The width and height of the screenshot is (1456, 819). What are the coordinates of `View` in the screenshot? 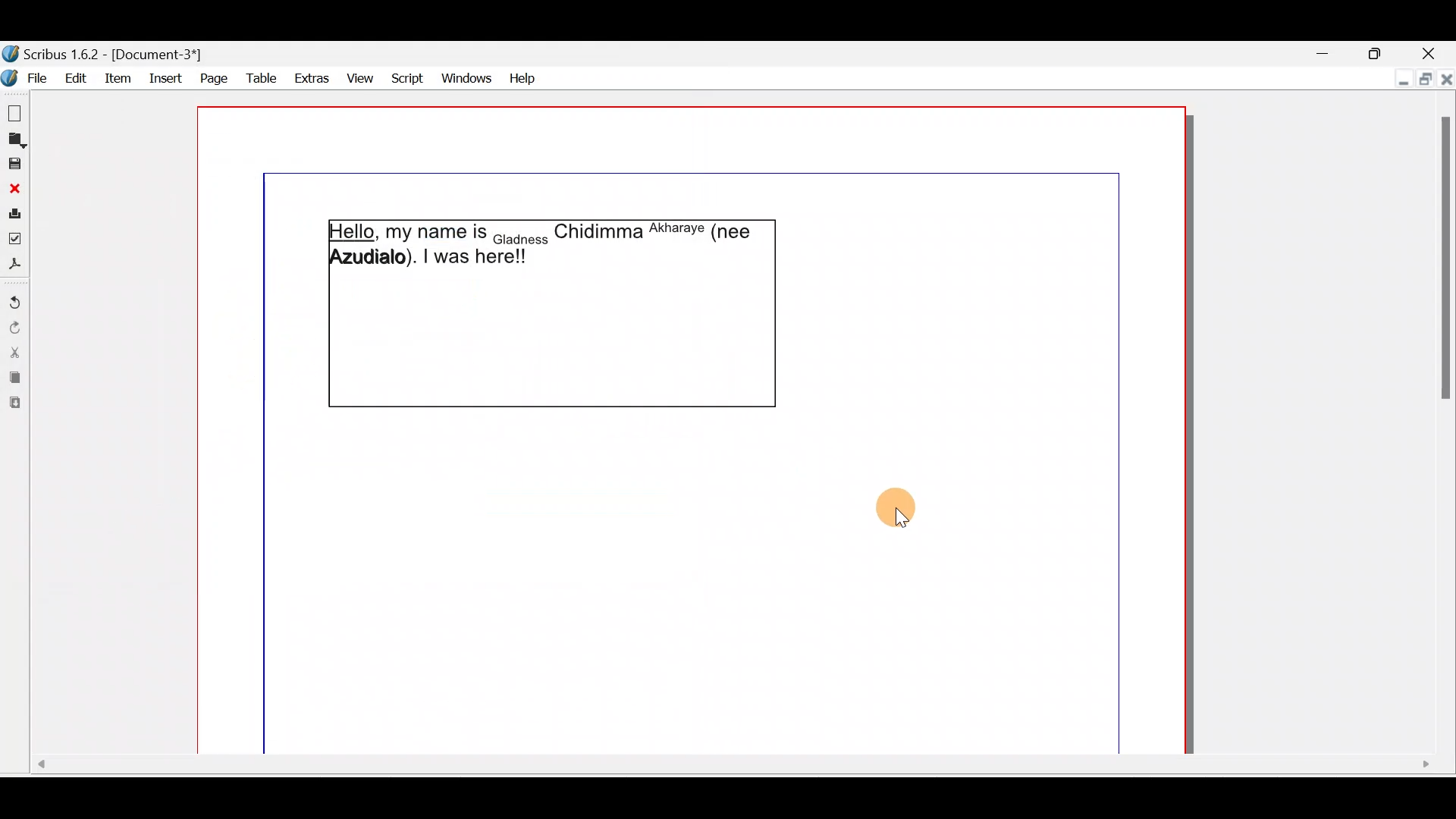 It's located at (359, 78).